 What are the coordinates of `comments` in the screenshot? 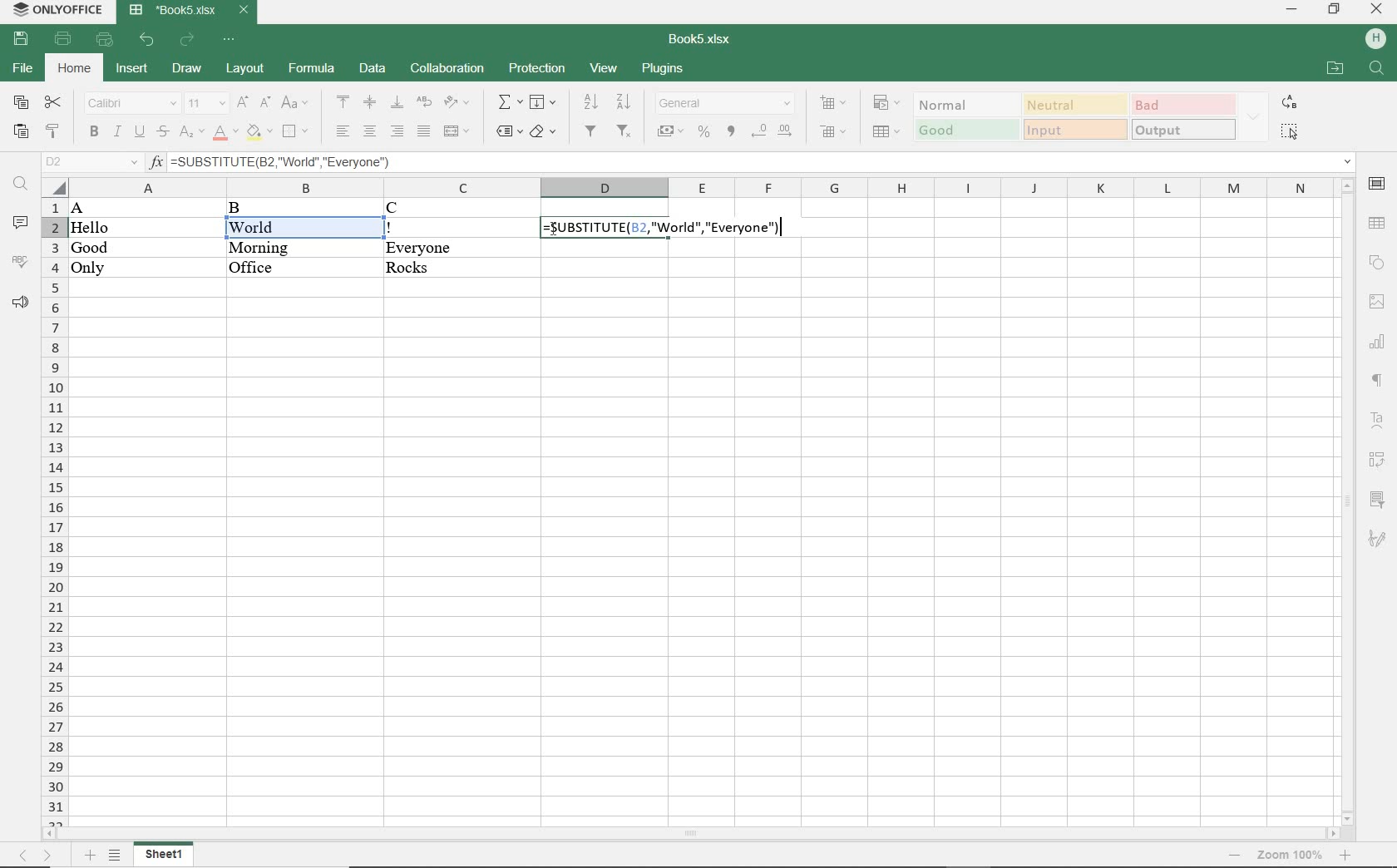 It's located at (20, 224).